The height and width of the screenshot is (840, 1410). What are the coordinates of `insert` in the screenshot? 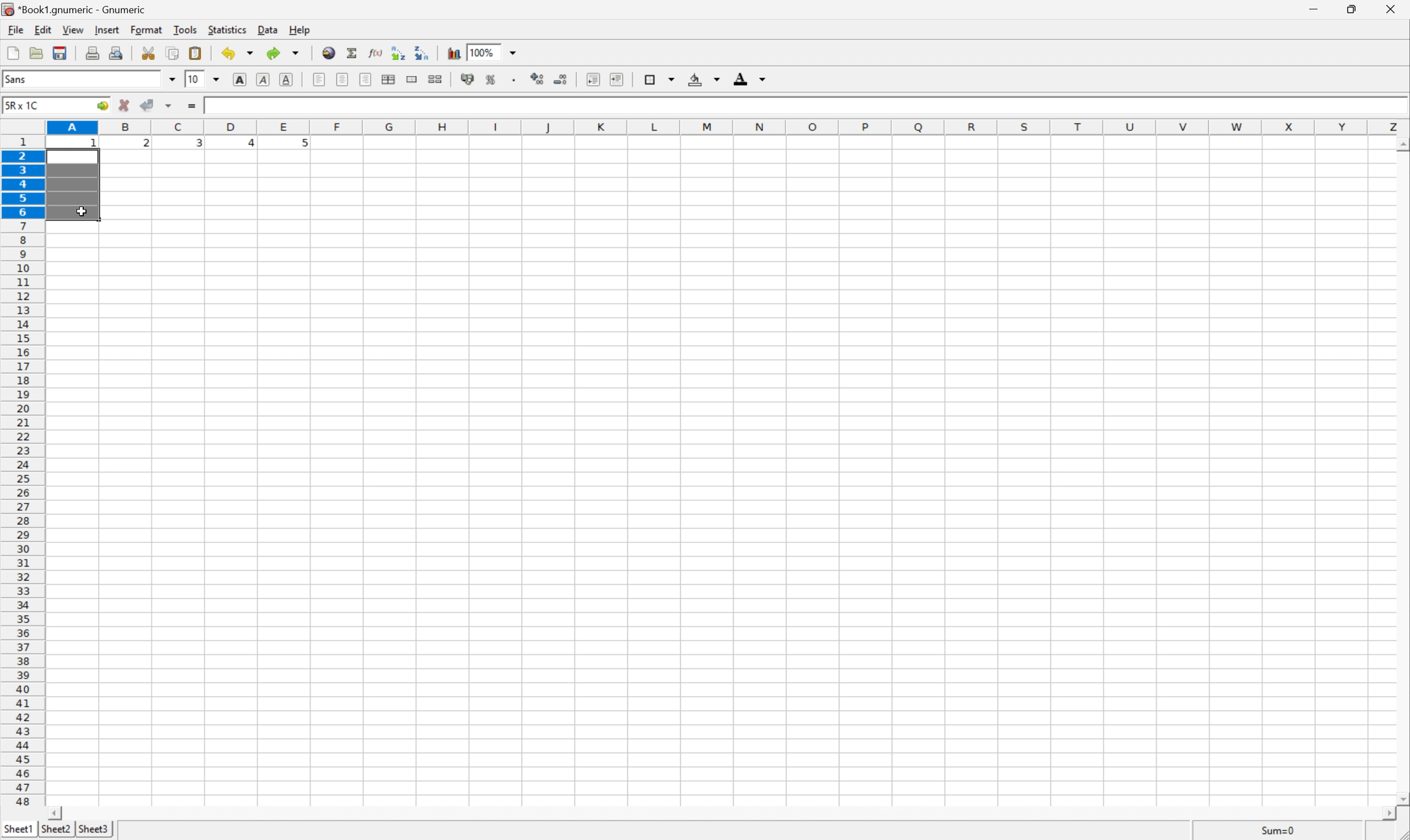 It's located at (107, 29).